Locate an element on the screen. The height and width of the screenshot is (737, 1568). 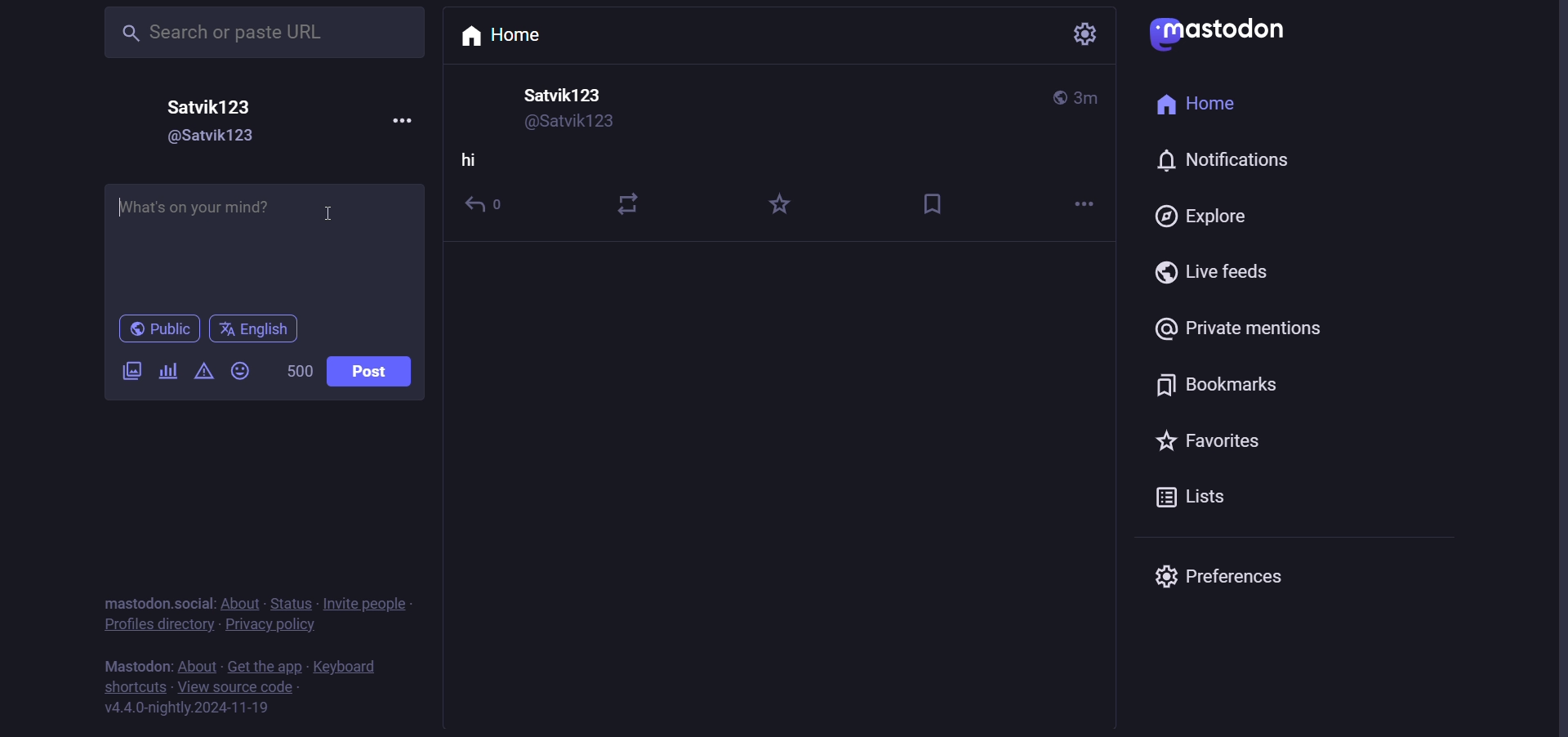
language is located at coordinates (254, 331).